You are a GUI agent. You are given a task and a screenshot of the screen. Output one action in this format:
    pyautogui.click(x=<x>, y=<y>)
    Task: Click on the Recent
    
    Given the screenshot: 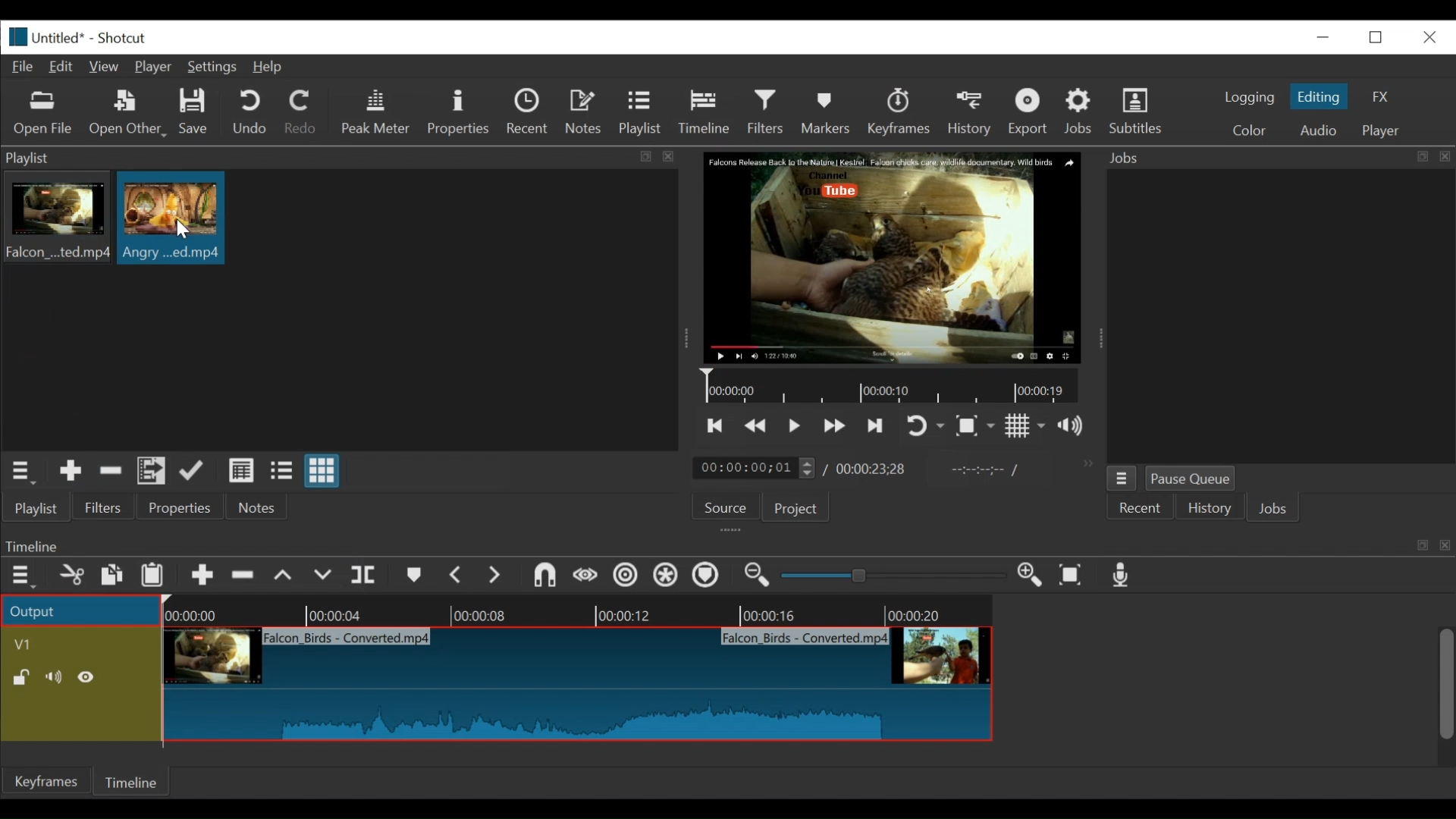 What is the action you would take?
    pyautogui.click(x=531, y=114)
    